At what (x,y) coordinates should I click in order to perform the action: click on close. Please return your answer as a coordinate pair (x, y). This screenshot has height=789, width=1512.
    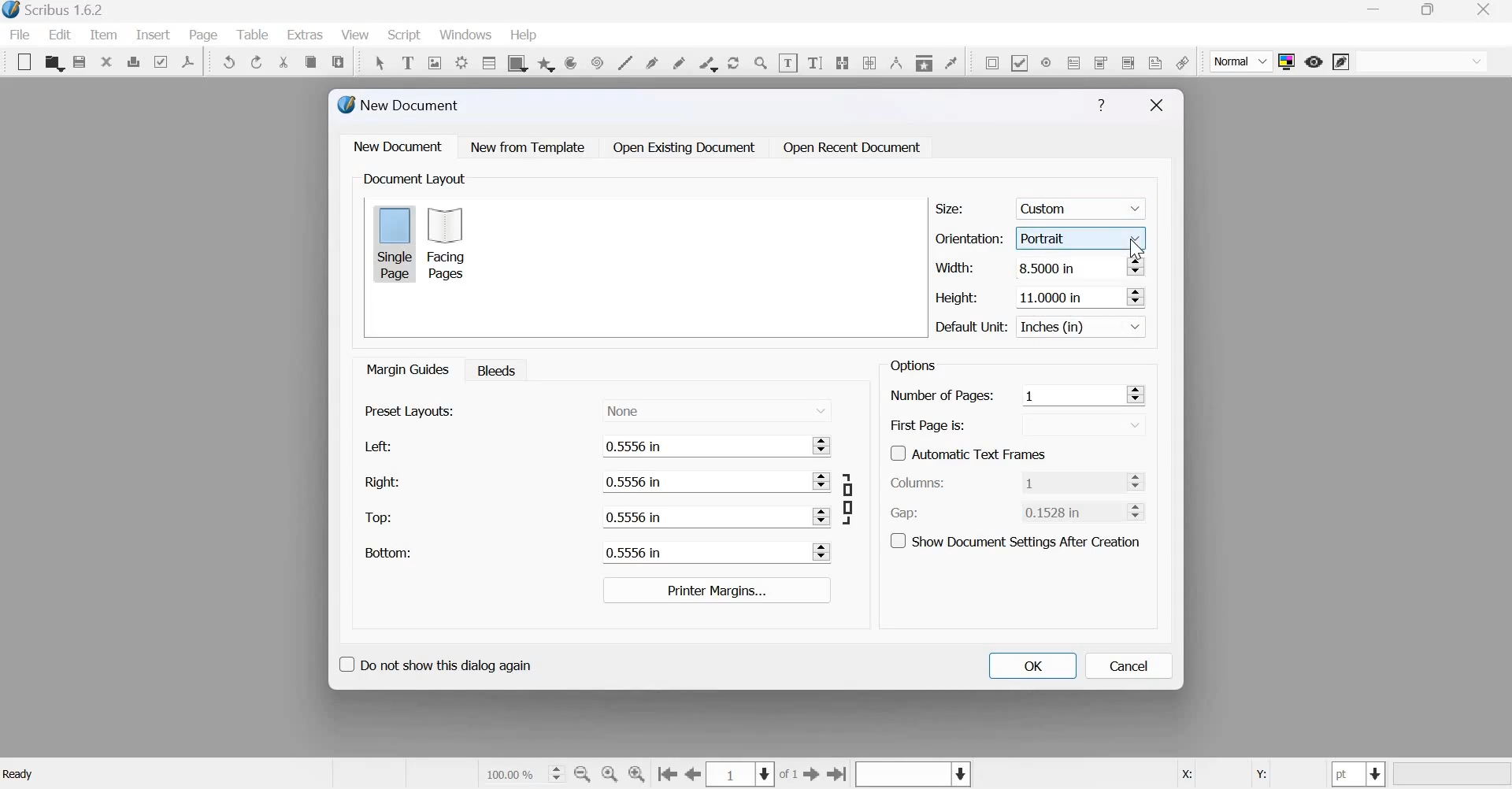
    Looking at the image, I should click on (1488, 9).